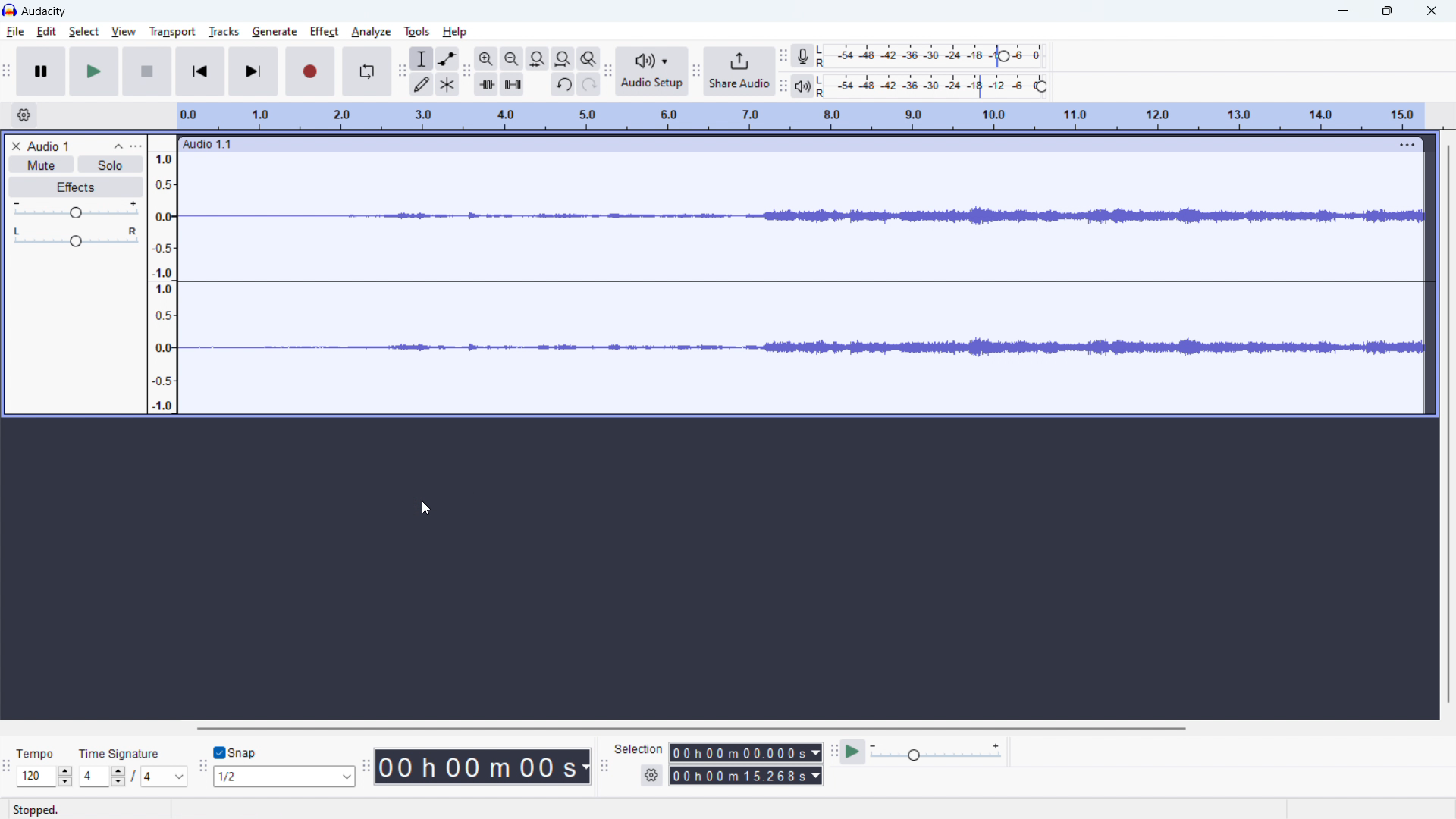 The height and width of the screenshot is (819, 1456). I want to click on time toolbar, so click(366, 767).